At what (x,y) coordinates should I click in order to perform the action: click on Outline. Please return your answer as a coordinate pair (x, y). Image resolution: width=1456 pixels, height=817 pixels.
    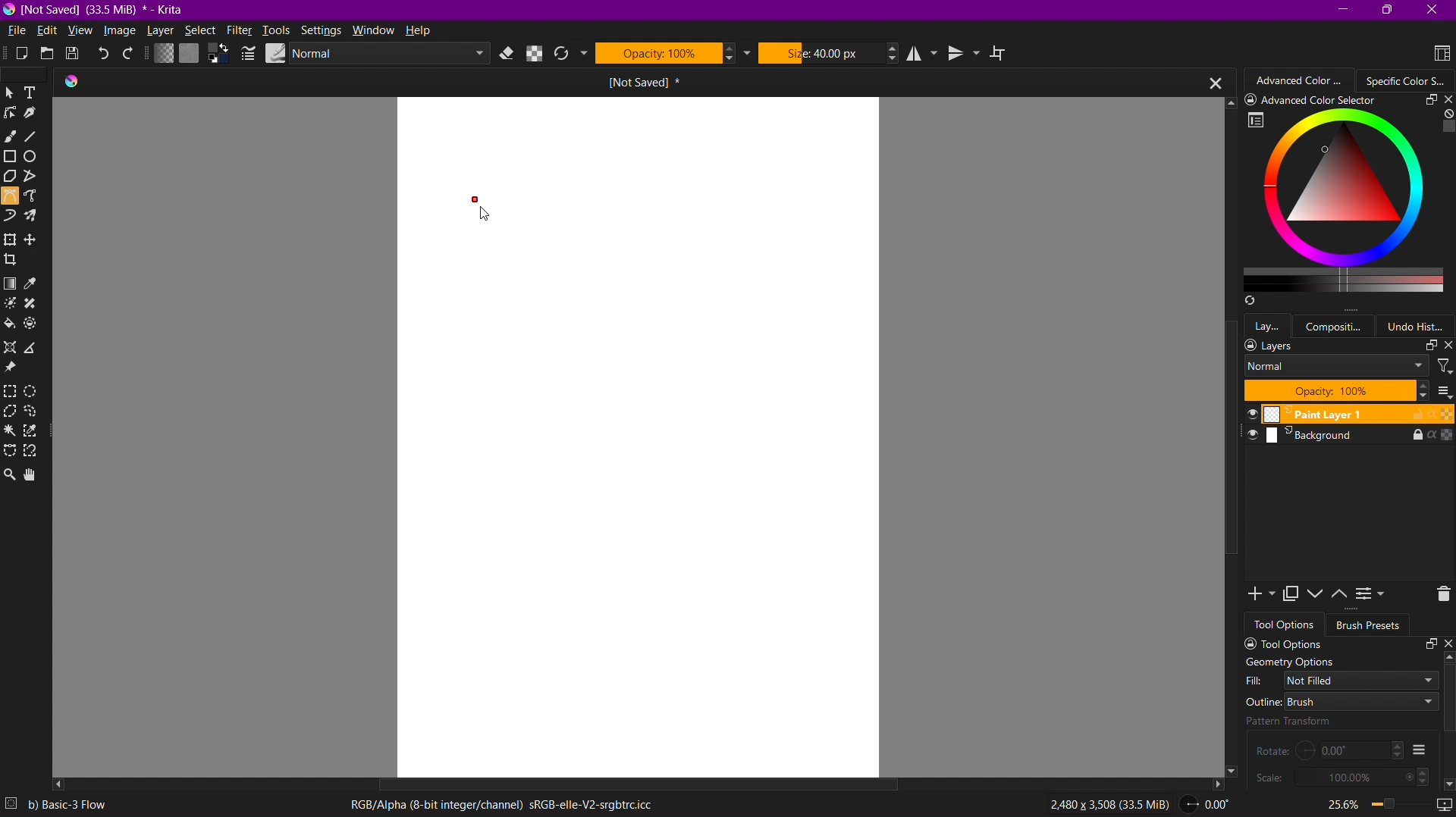
    Looking at the image, I should click on (1341, 701).